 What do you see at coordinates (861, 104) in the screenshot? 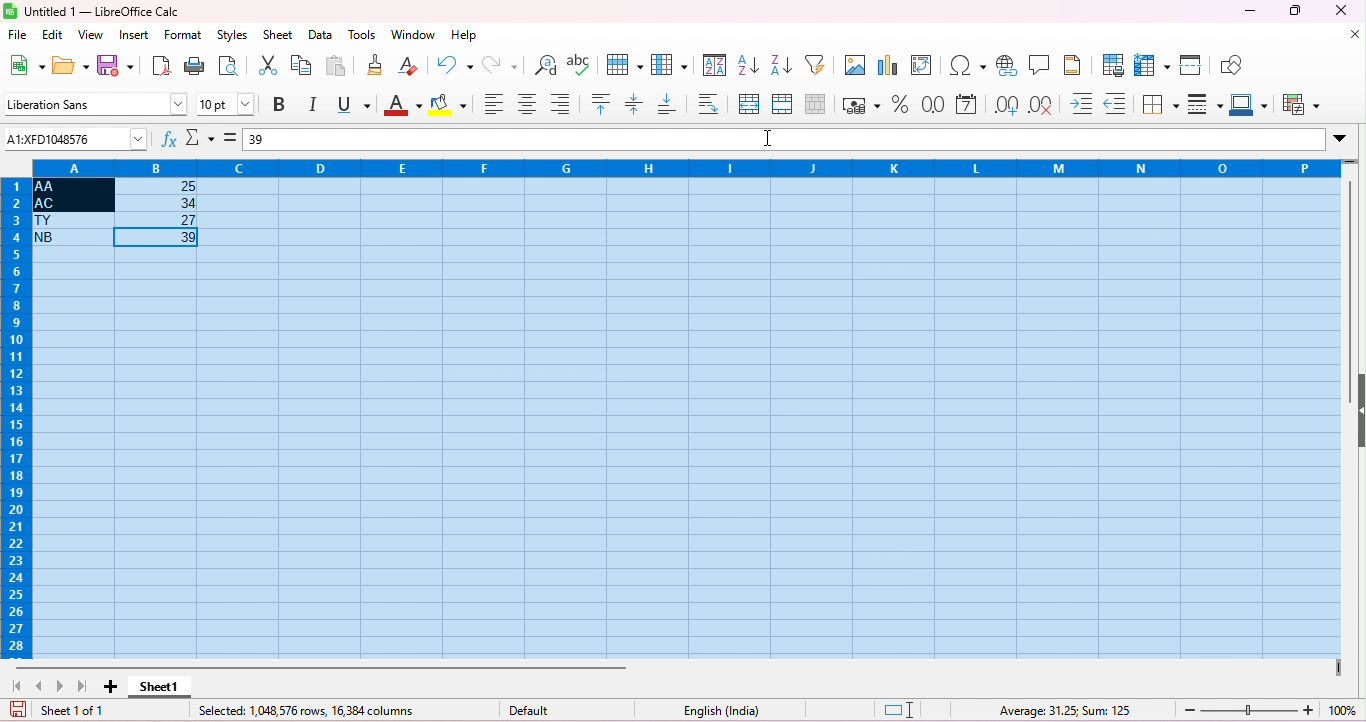
I see `format as currency` at bounding box center [861, 104].